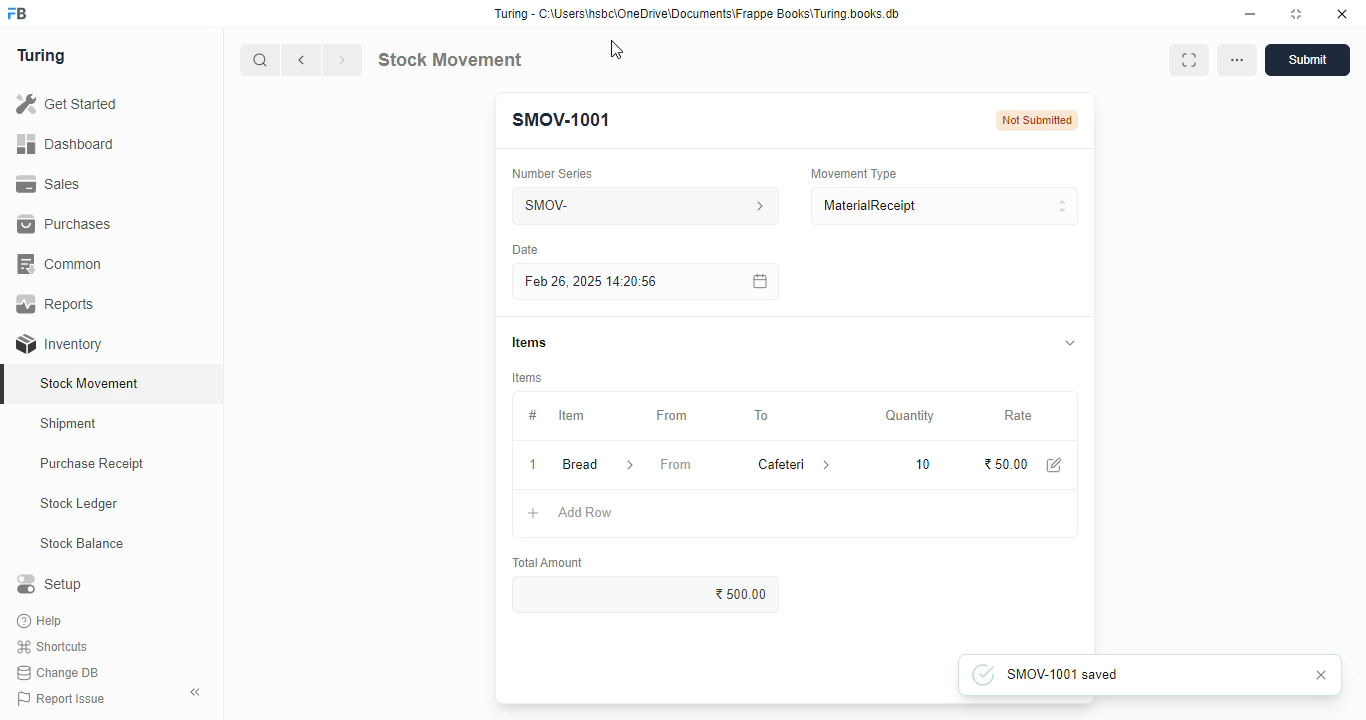 The width and height of the screenshot is (1366, 720). I want to click on next, so click(342, 60).